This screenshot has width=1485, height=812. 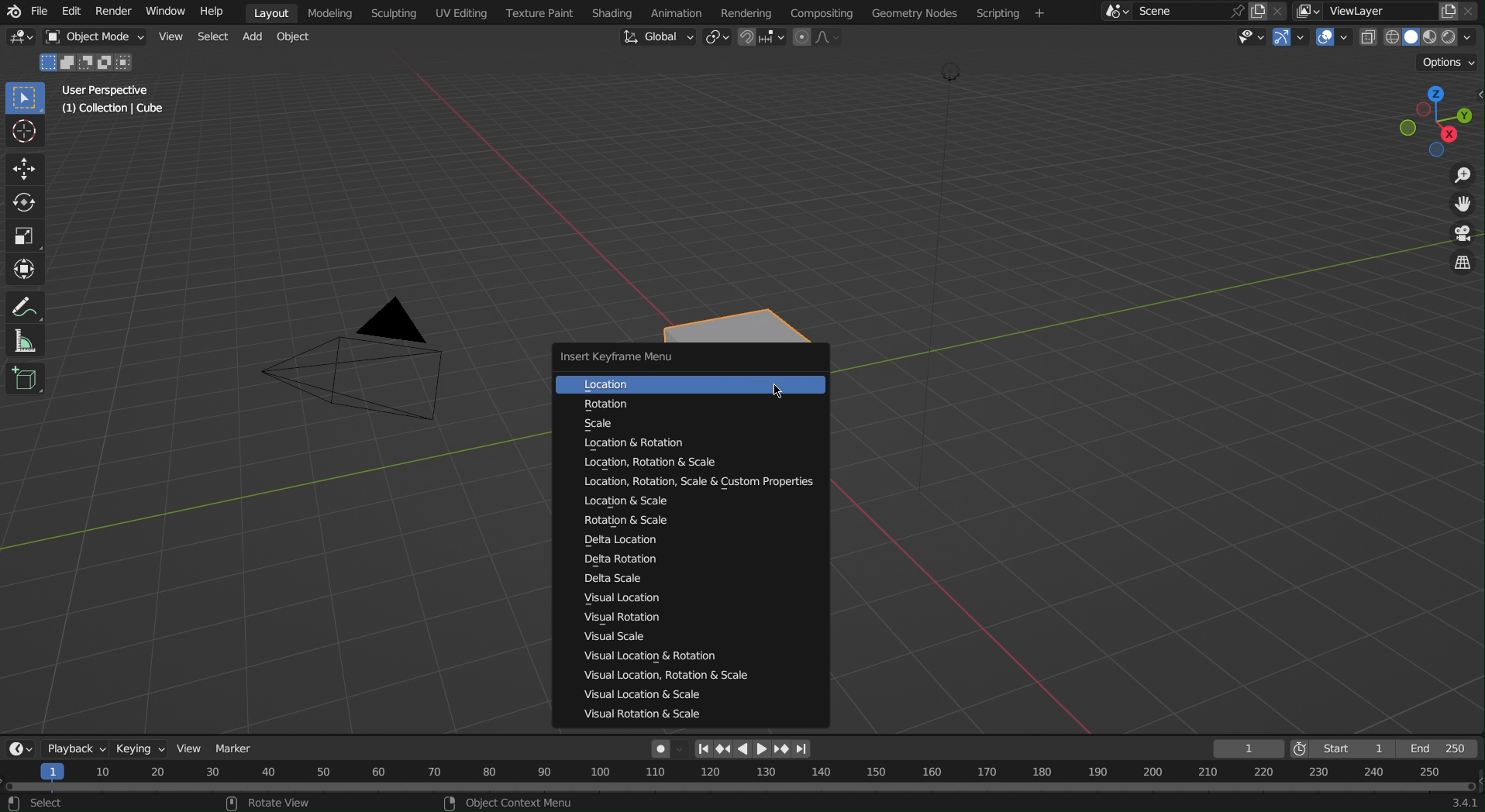 What do you see at coordinates (13, 12) in the screenshot?
I see `Blend logo` at bounding box center [13, 12].